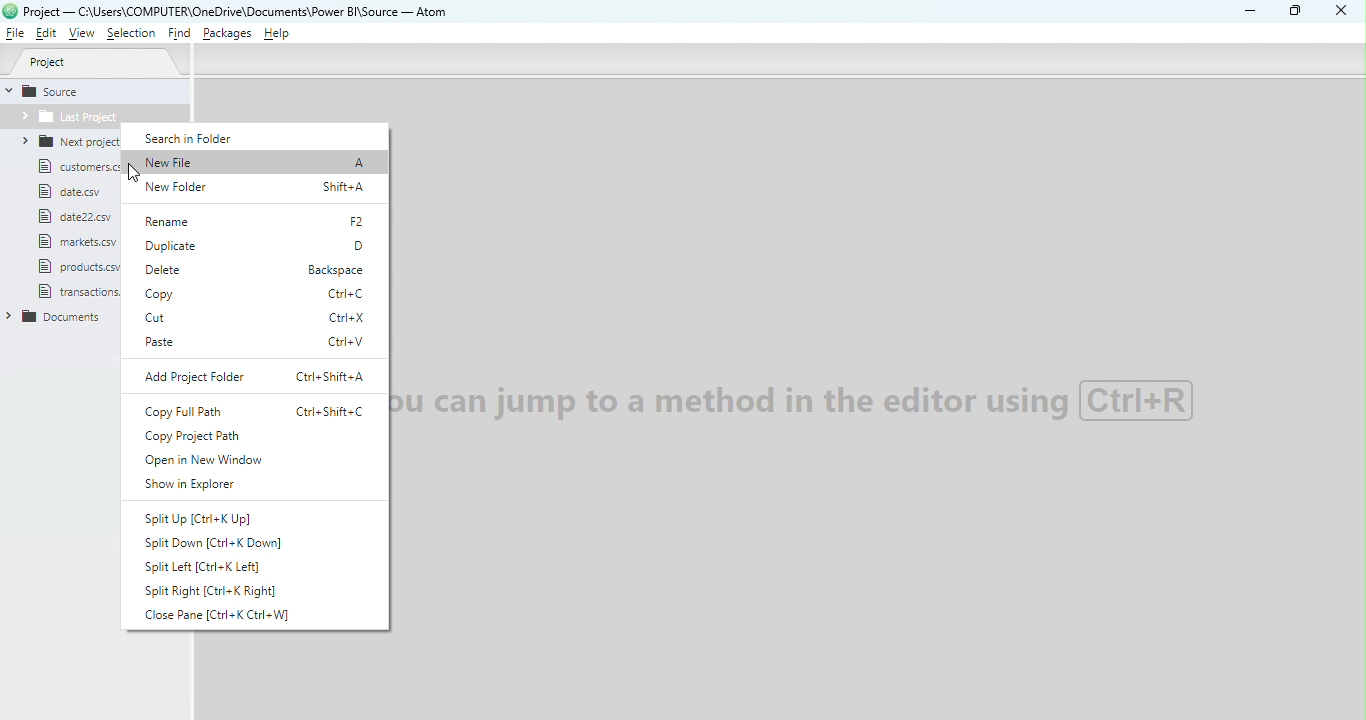 The height and width of the screenshot is (720, 1366). I want to click on New file, so click(257, 163).